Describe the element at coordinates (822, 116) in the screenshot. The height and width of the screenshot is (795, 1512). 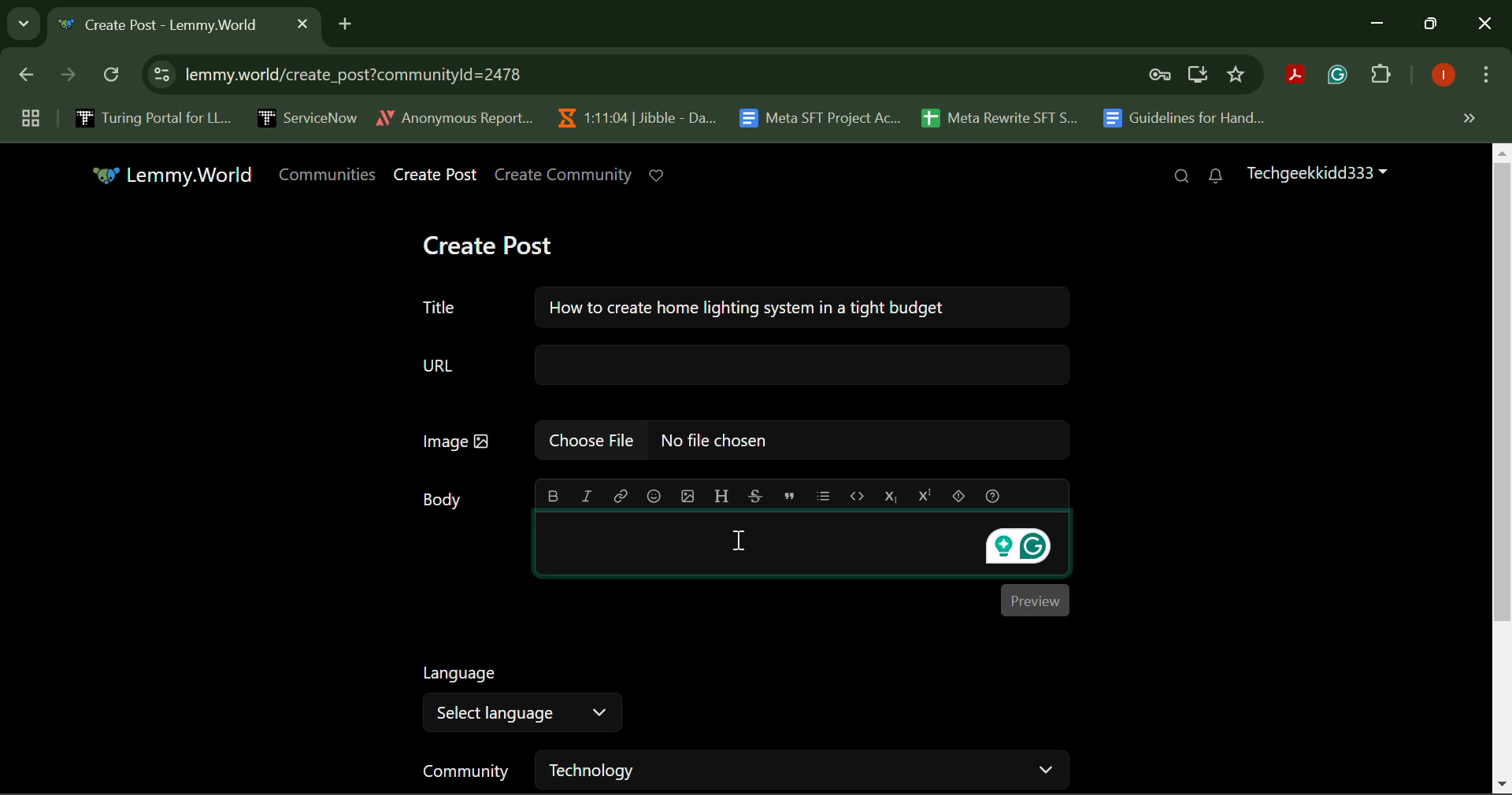
I see `Meta SFT Project` at that location.